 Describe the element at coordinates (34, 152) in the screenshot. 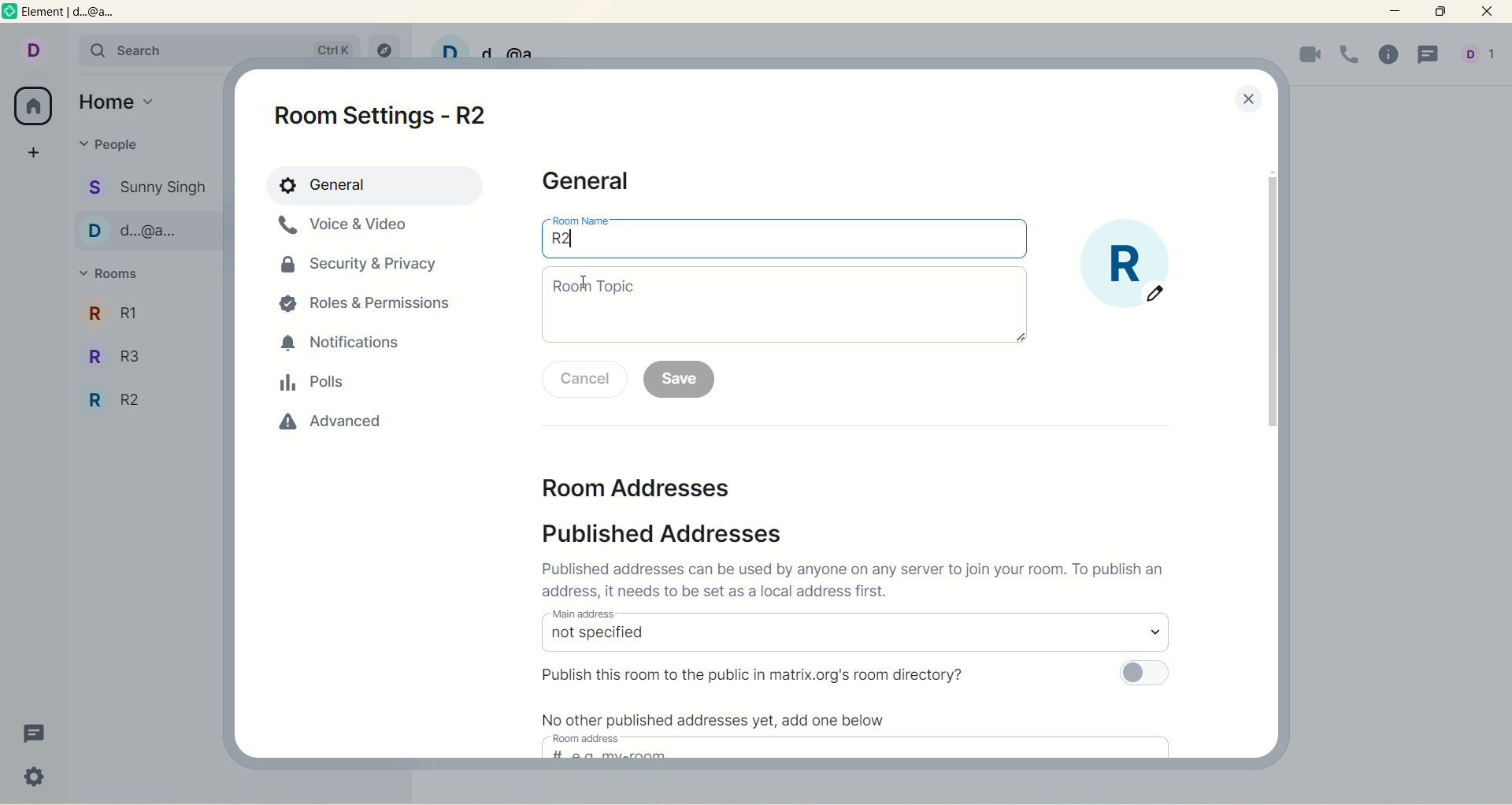

I see `create space` at that location.